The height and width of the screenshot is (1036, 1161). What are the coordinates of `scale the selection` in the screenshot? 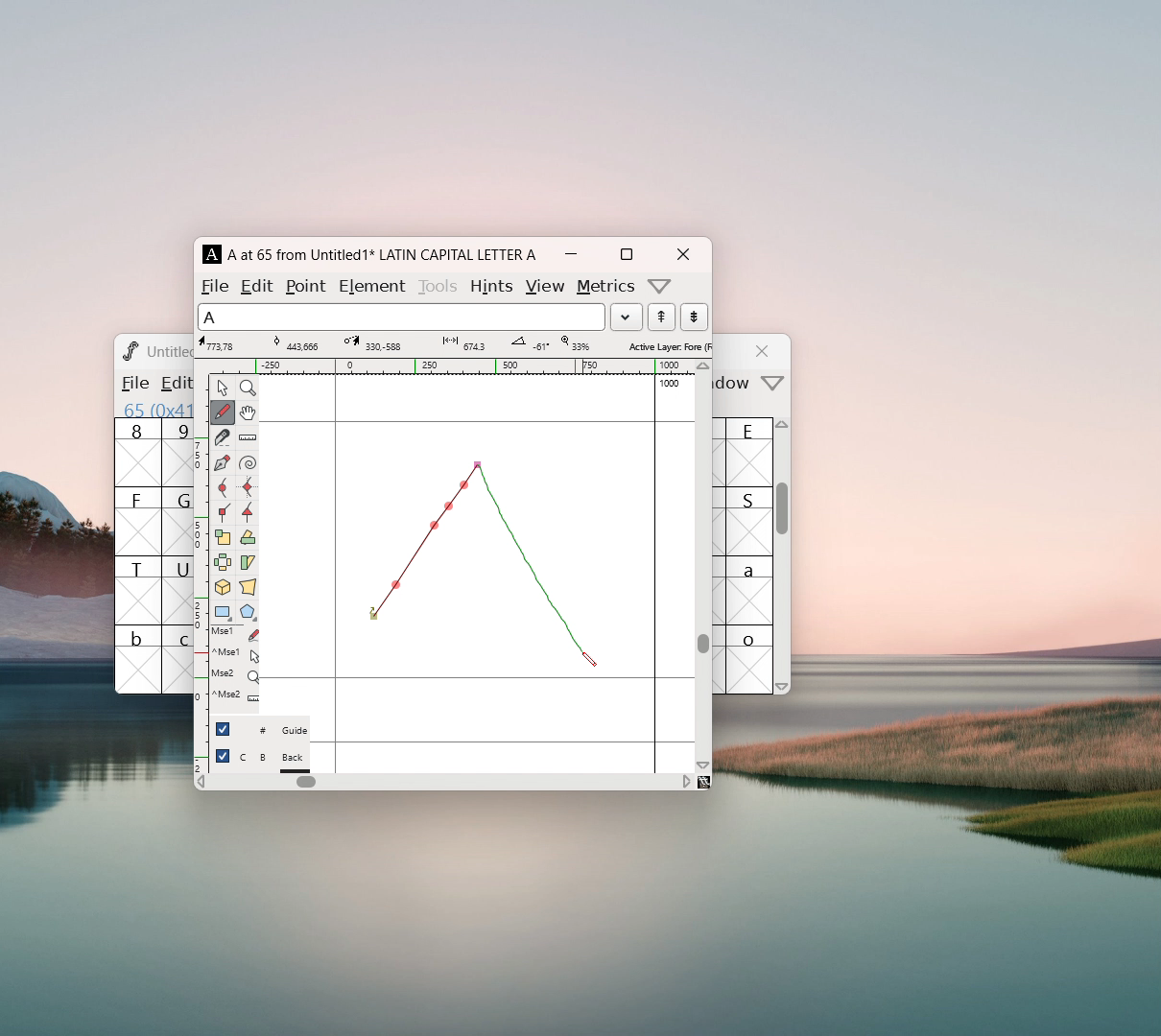 It's located at (223, 538).